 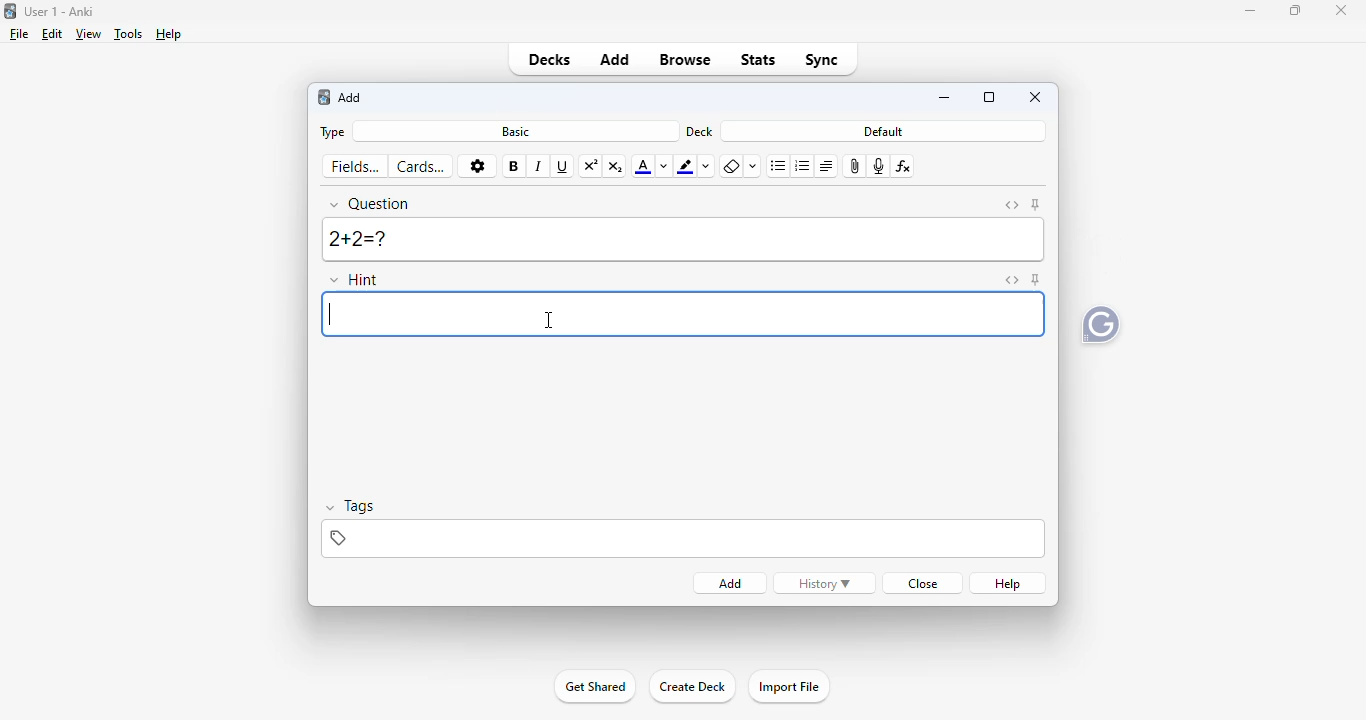 What do you see at coordinates (89, 35) in the screenshot?
I see `view` at bounding box center [89, 35].